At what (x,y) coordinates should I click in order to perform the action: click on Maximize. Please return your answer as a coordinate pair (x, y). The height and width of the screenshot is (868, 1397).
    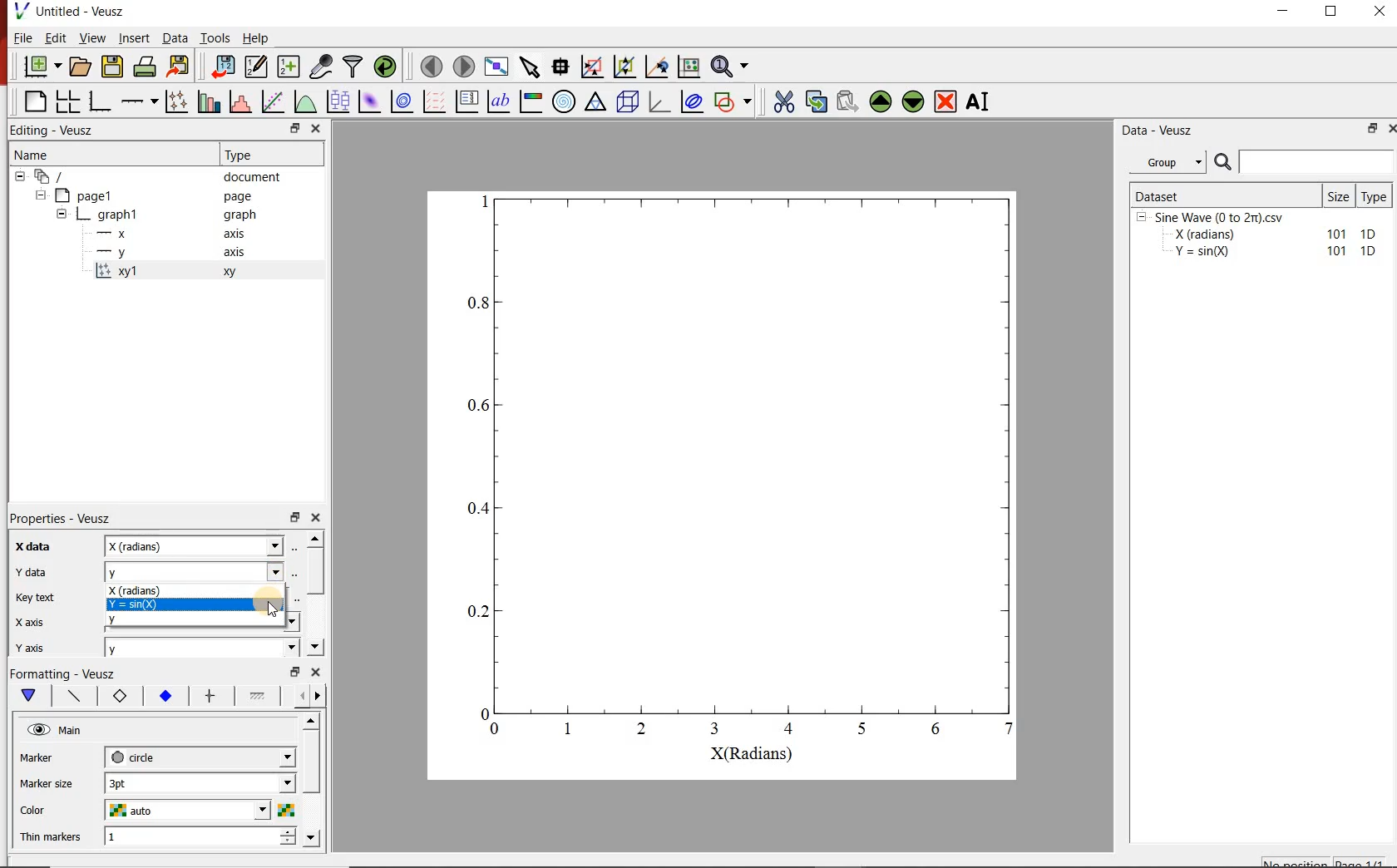
    Looking at the image, I should click on (1332, 12).